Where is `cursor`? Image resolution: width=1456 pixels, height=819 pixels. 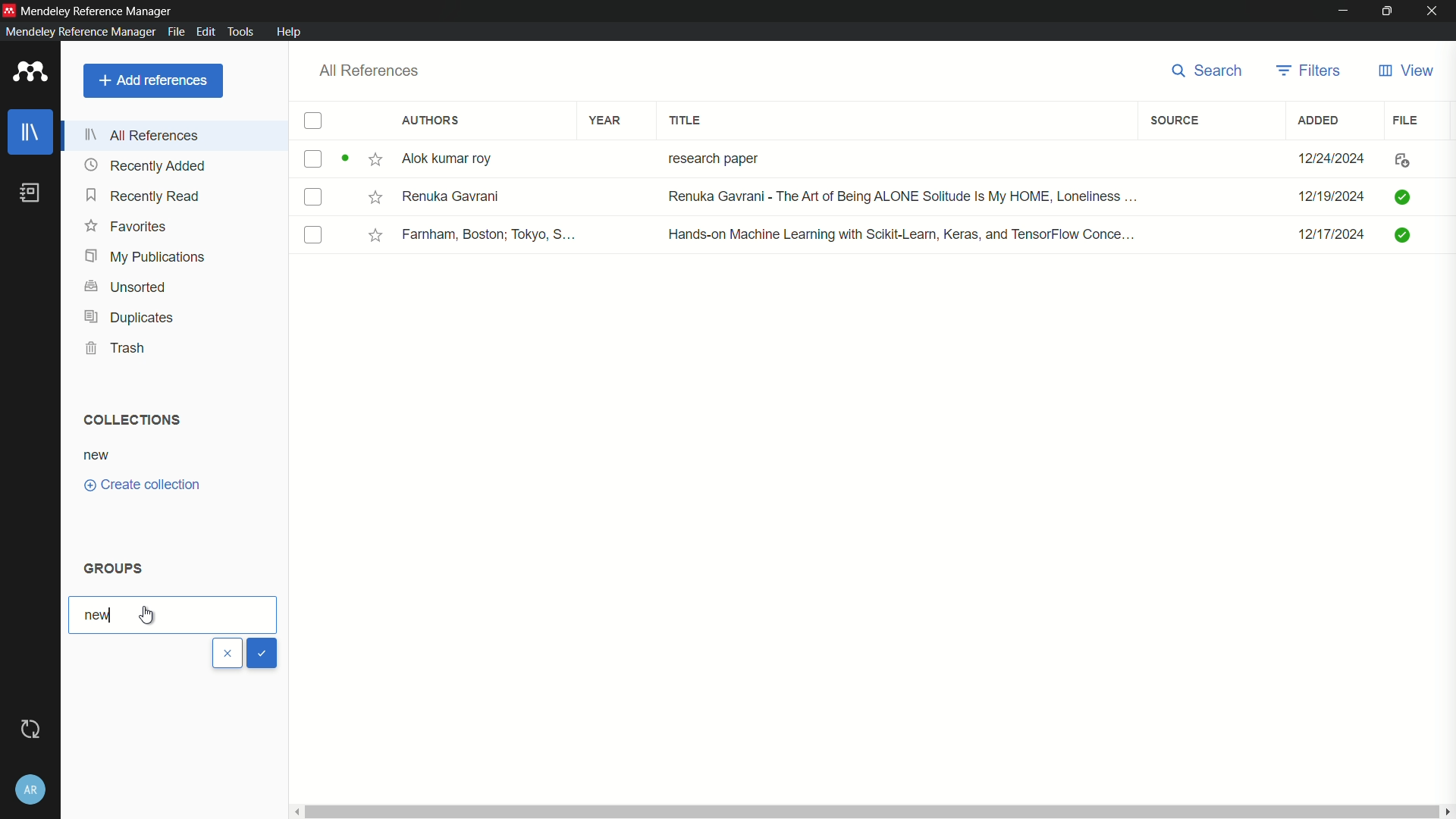 cursor is located at coordinates (151, 613).